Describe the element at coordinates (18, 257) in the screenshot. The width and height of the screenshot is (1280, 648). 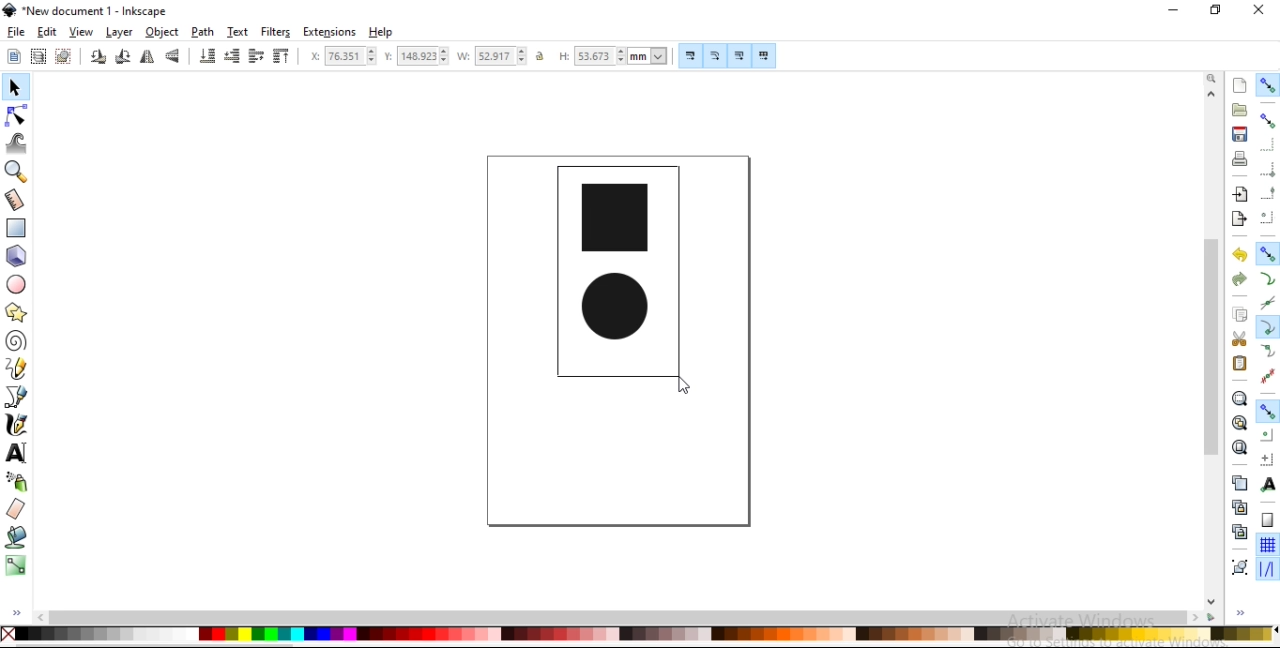
I see `create 3d boxes` at that location.